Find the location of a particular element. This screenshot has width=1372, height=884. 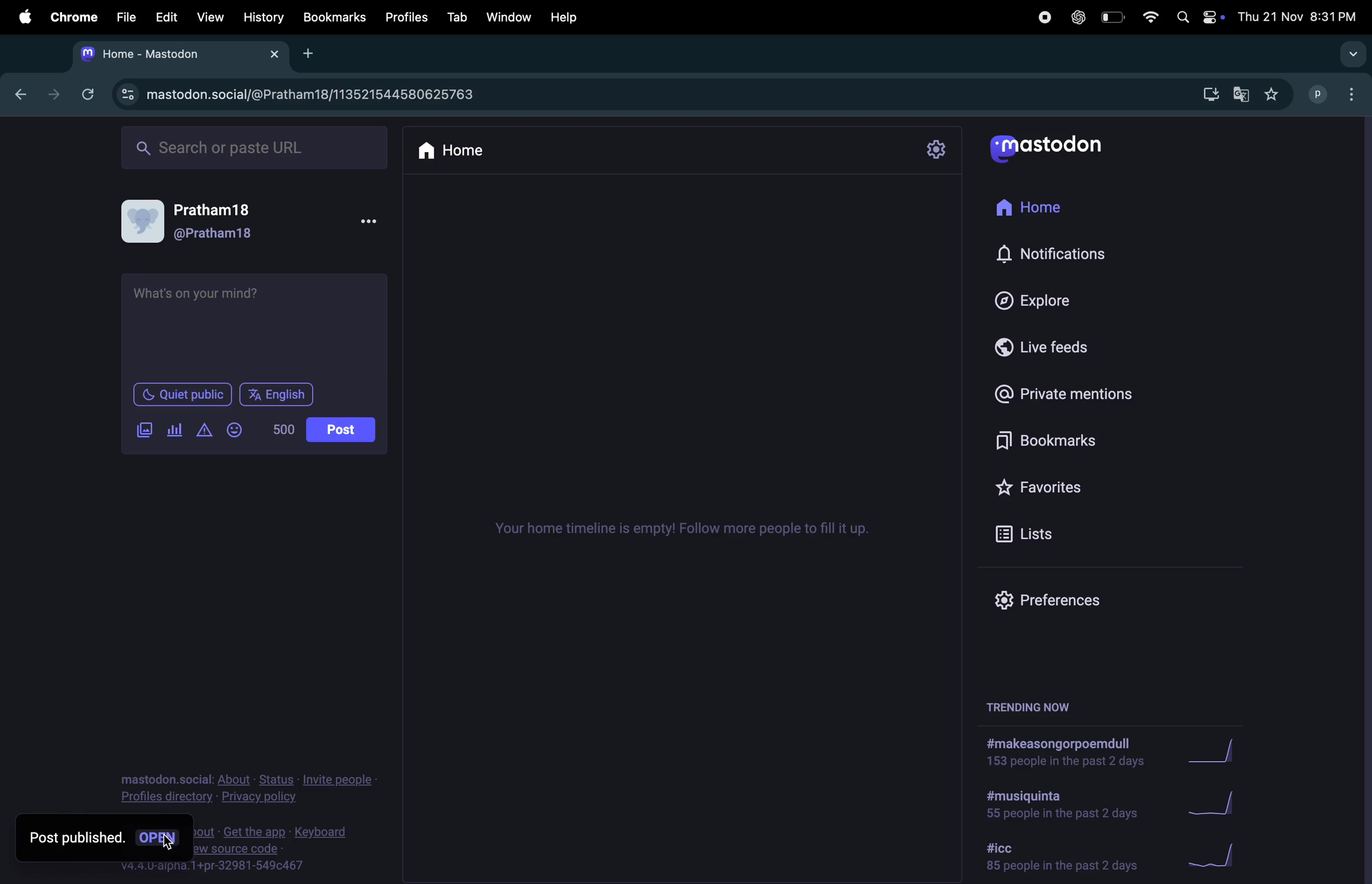

user is located at coordinates (220, 209).